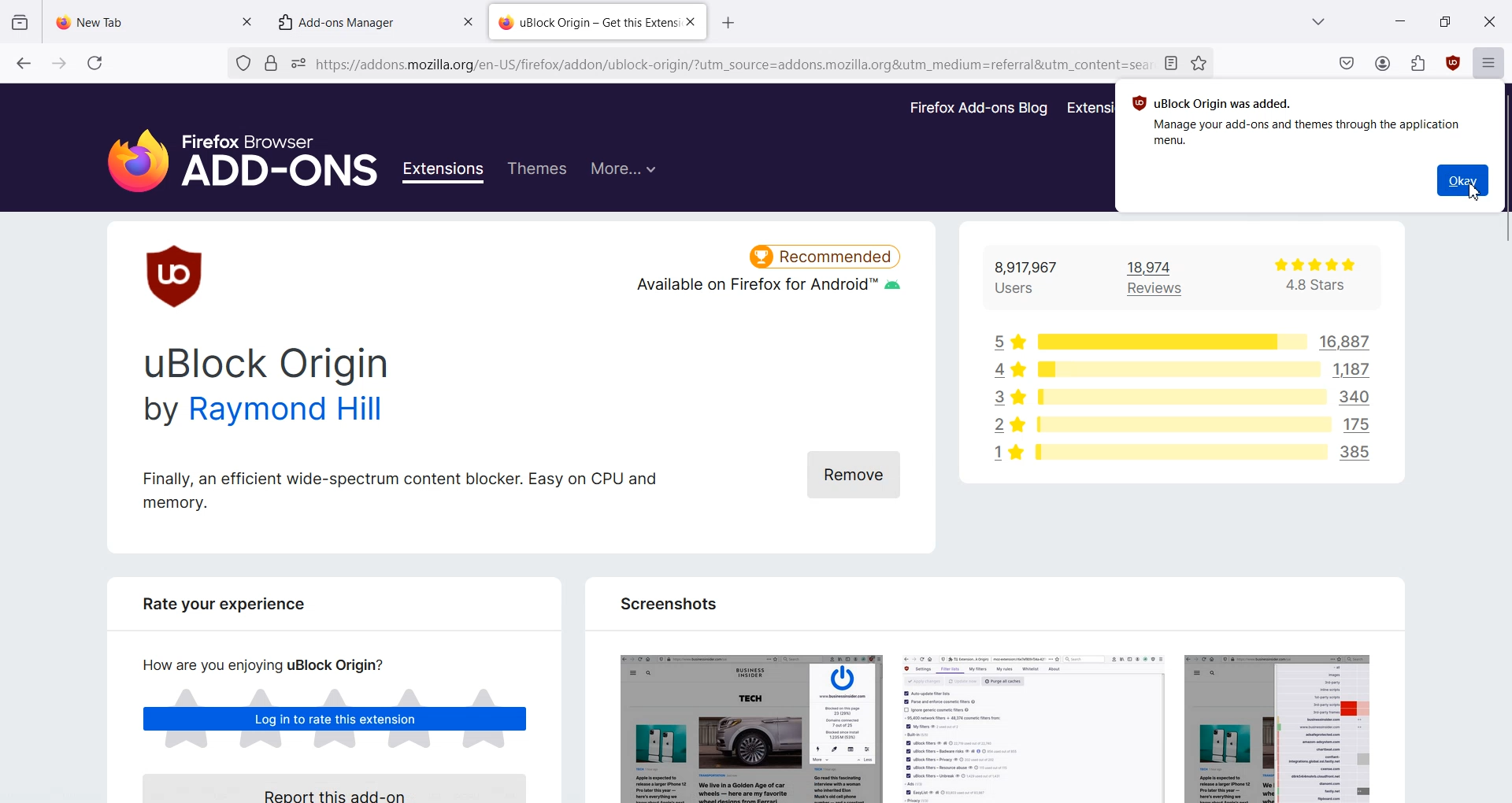  I want to click on uBlock origin, so click(1455, 63).